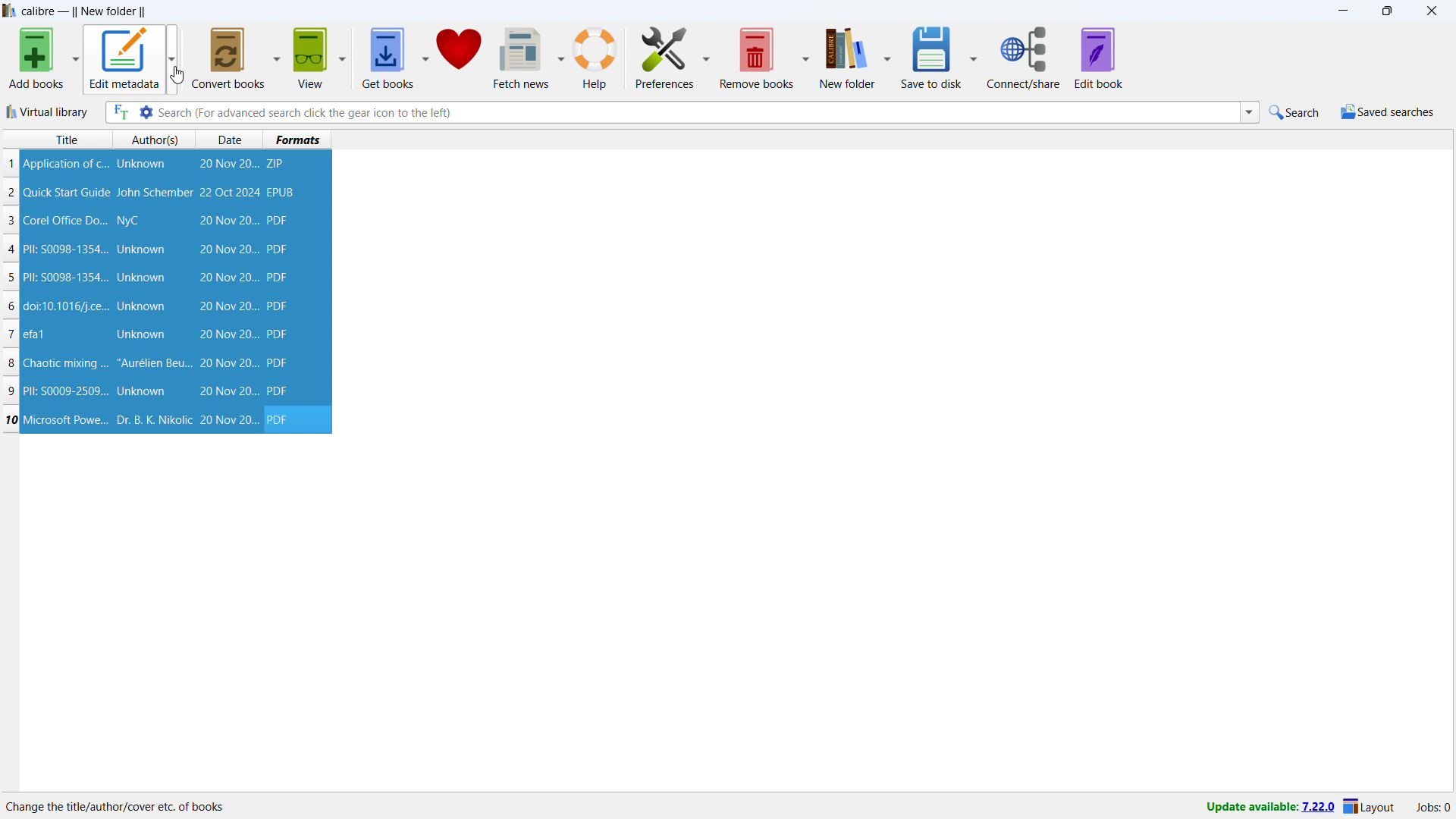 This screenshot has width=1456, height=819. Describe the element at coordinates (65, 364) in the screenshot. I see `Chaotic mixing ...` at that location.